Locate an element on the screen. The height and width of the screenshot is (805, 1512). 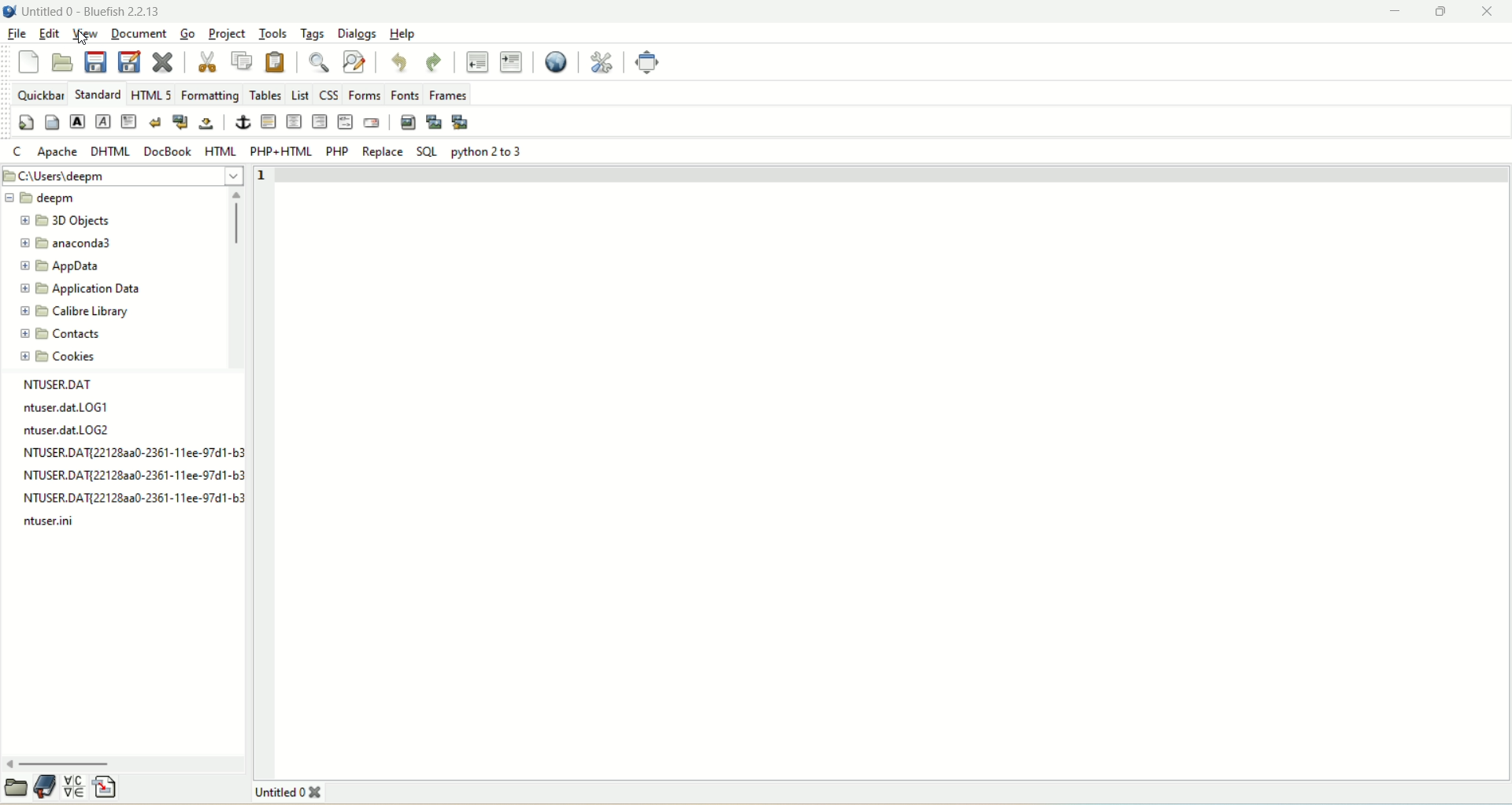
project is located at coordinates (227, 33).